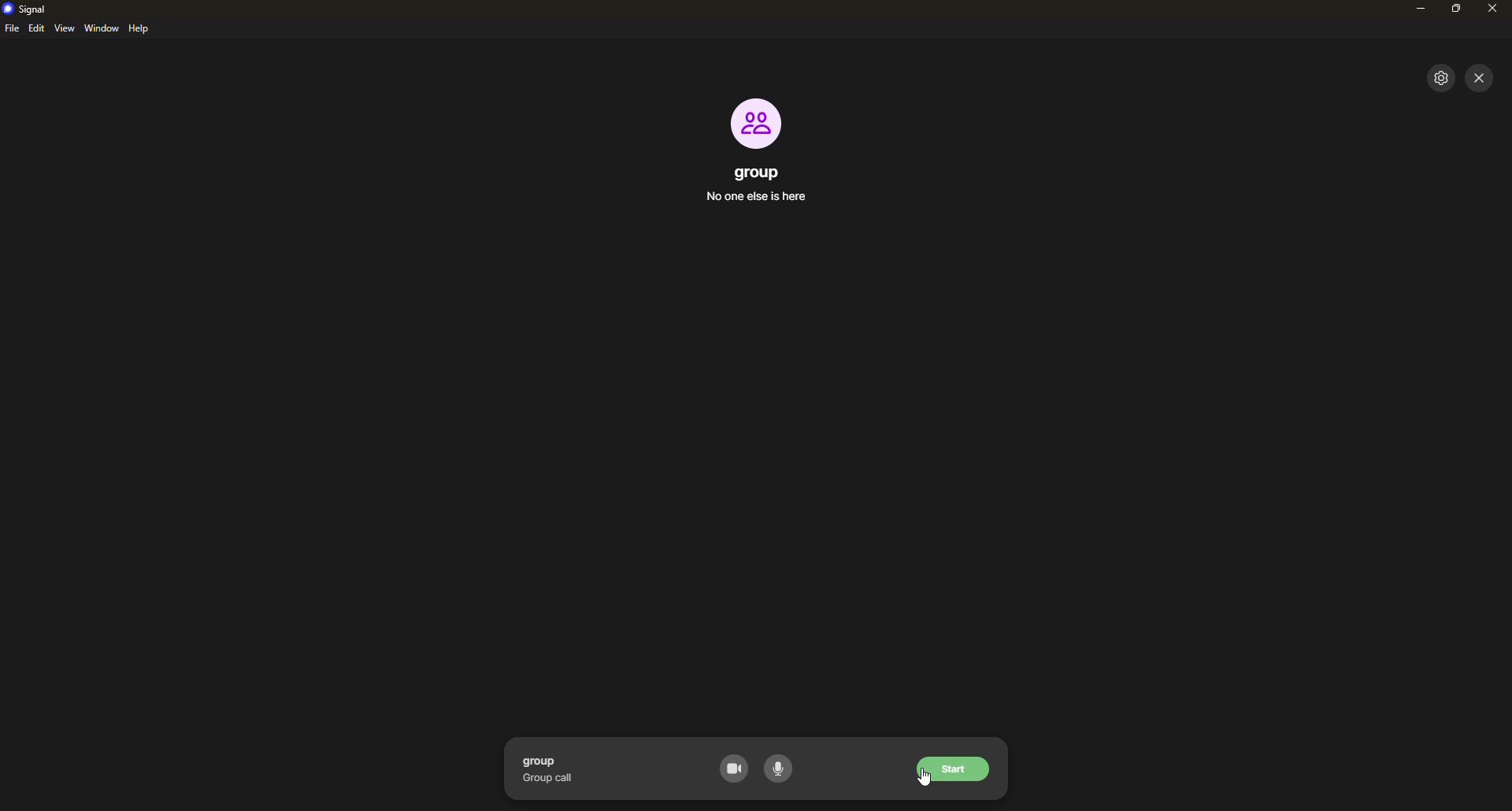 This screenshot has height=811, width=1512. Describe the element at coordinates (553, 770) in the screenshot. I see `group call` at that location.